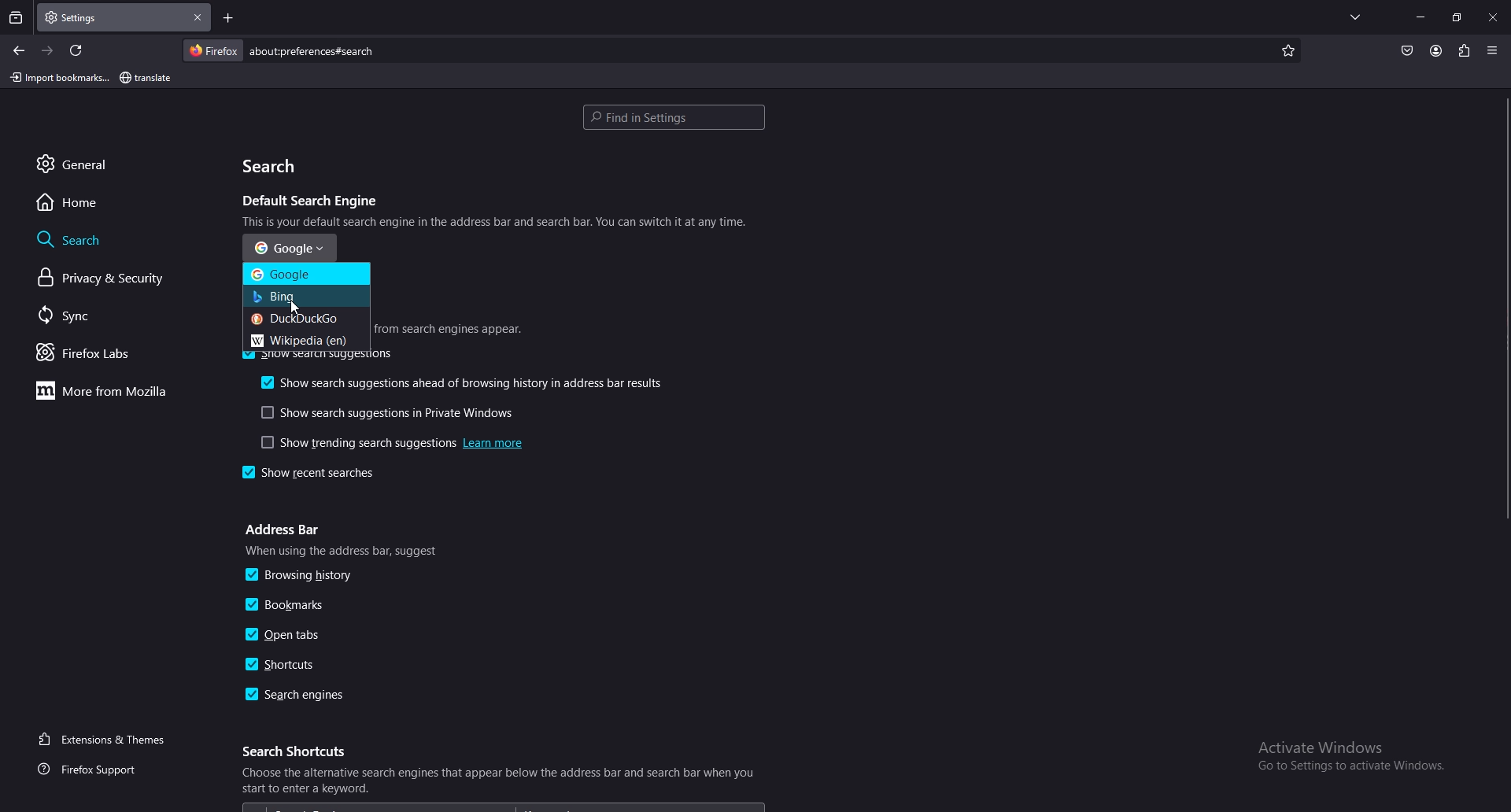 The width and height of the screenshot is (1511, 812). Describe the element at coordinates (16, 17) in the screenshot. I see `recent browsing` at that location.